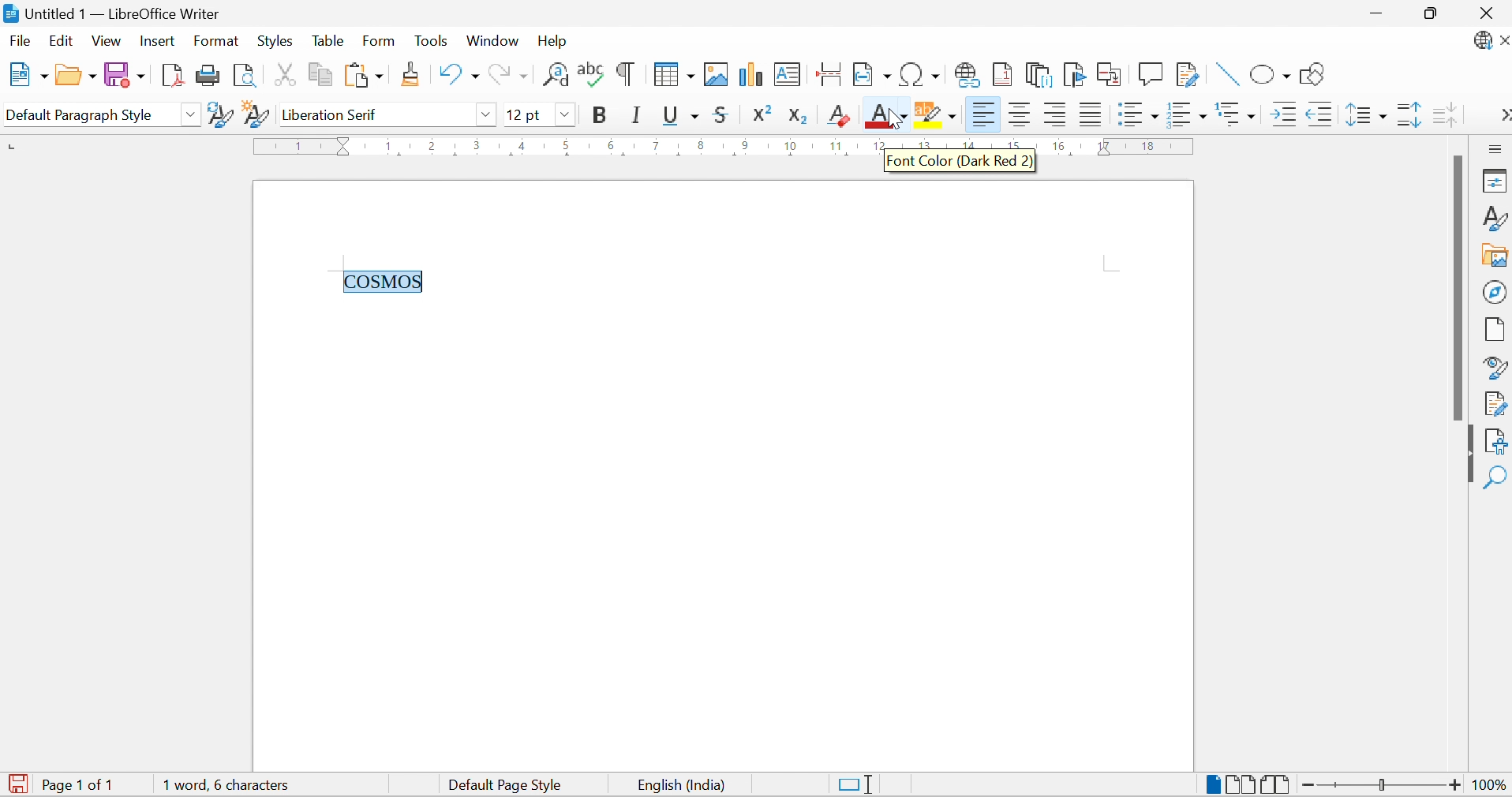  I want to click on Align Left, so click(983, 114).